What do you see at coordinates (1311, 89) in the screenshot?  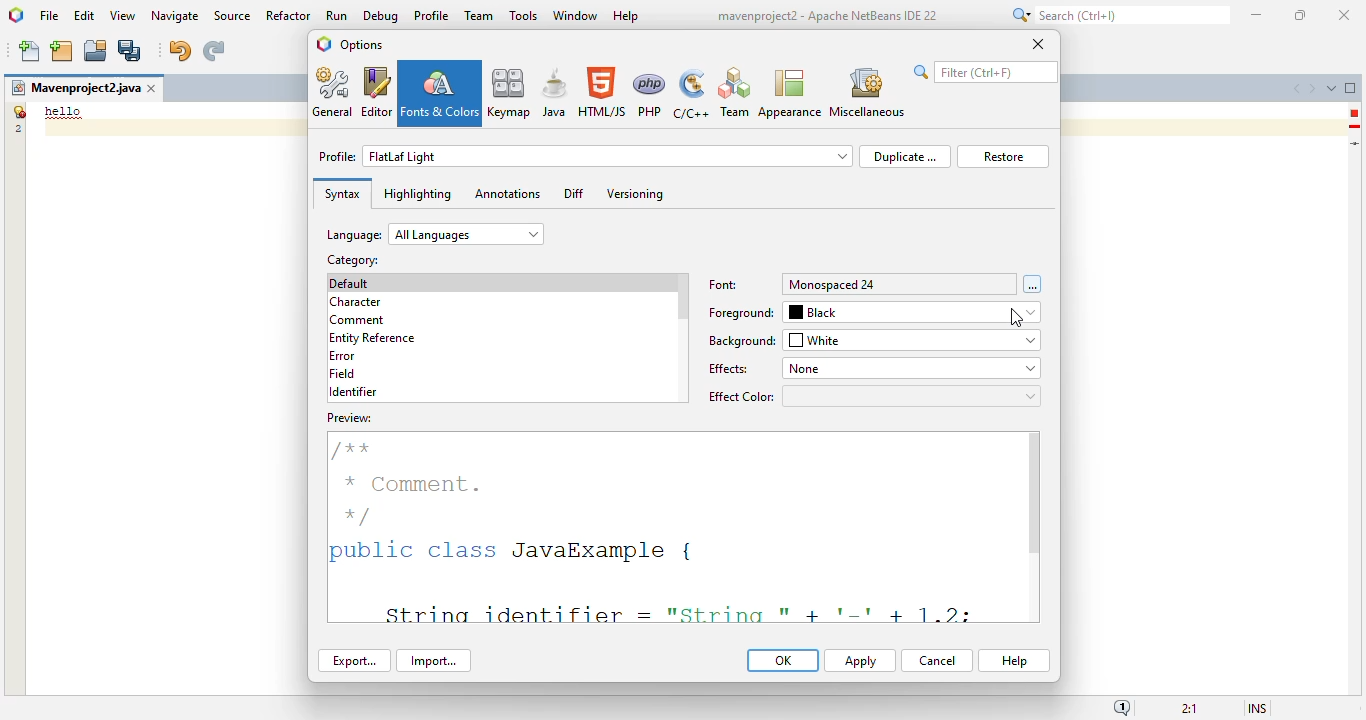 I see `scroll documents right` at bounding box center [1311, 89].